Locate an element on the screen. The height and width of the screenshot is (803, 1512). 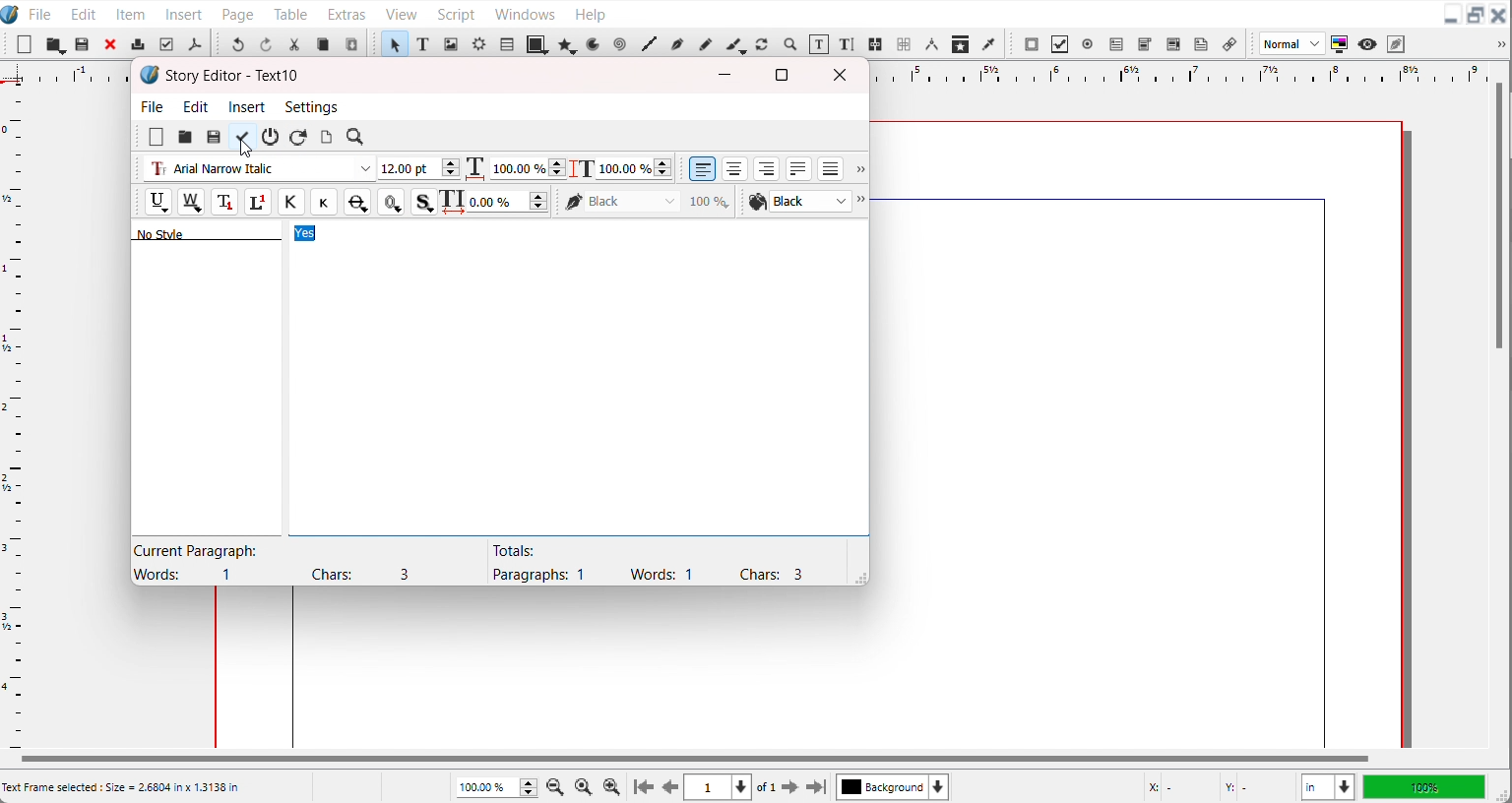
Line is located at coordinates (649, 44).